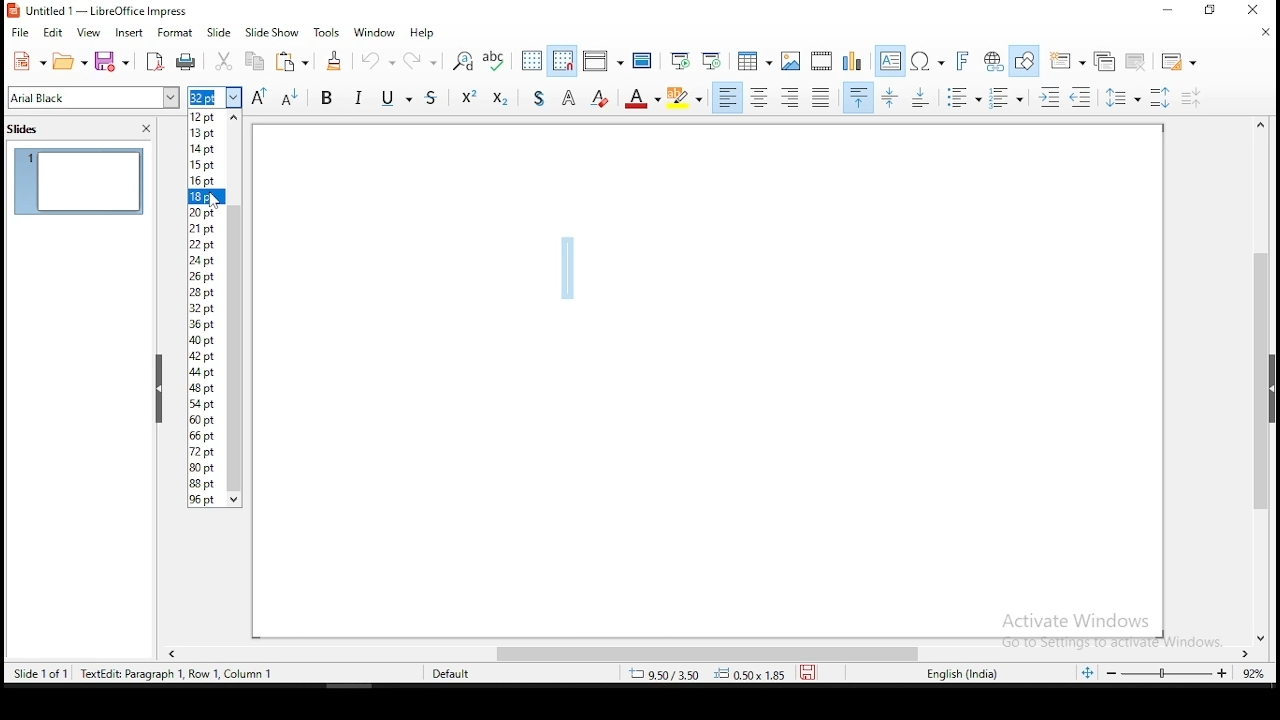 The image size is (1280, 720). I want to click on insert special characters, so click(927, 61).